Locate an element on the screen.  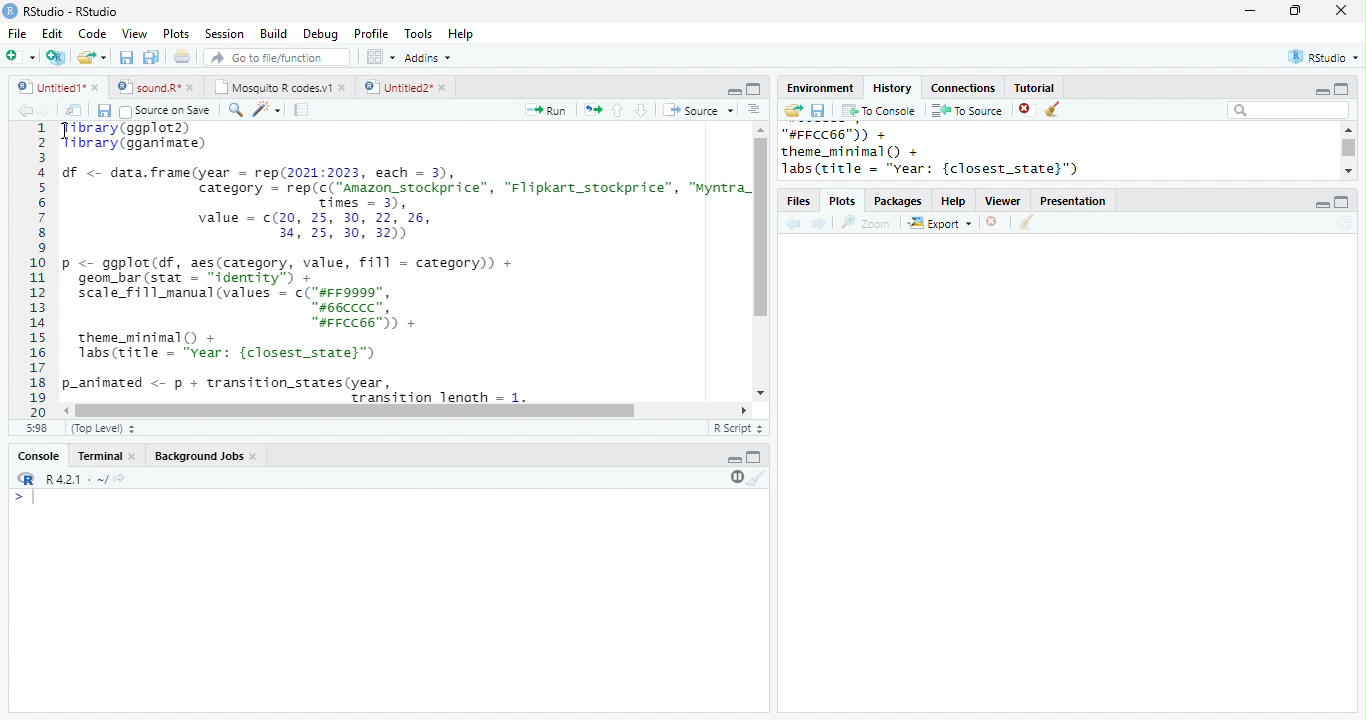
maximize is located at coordinates (1342, 88).